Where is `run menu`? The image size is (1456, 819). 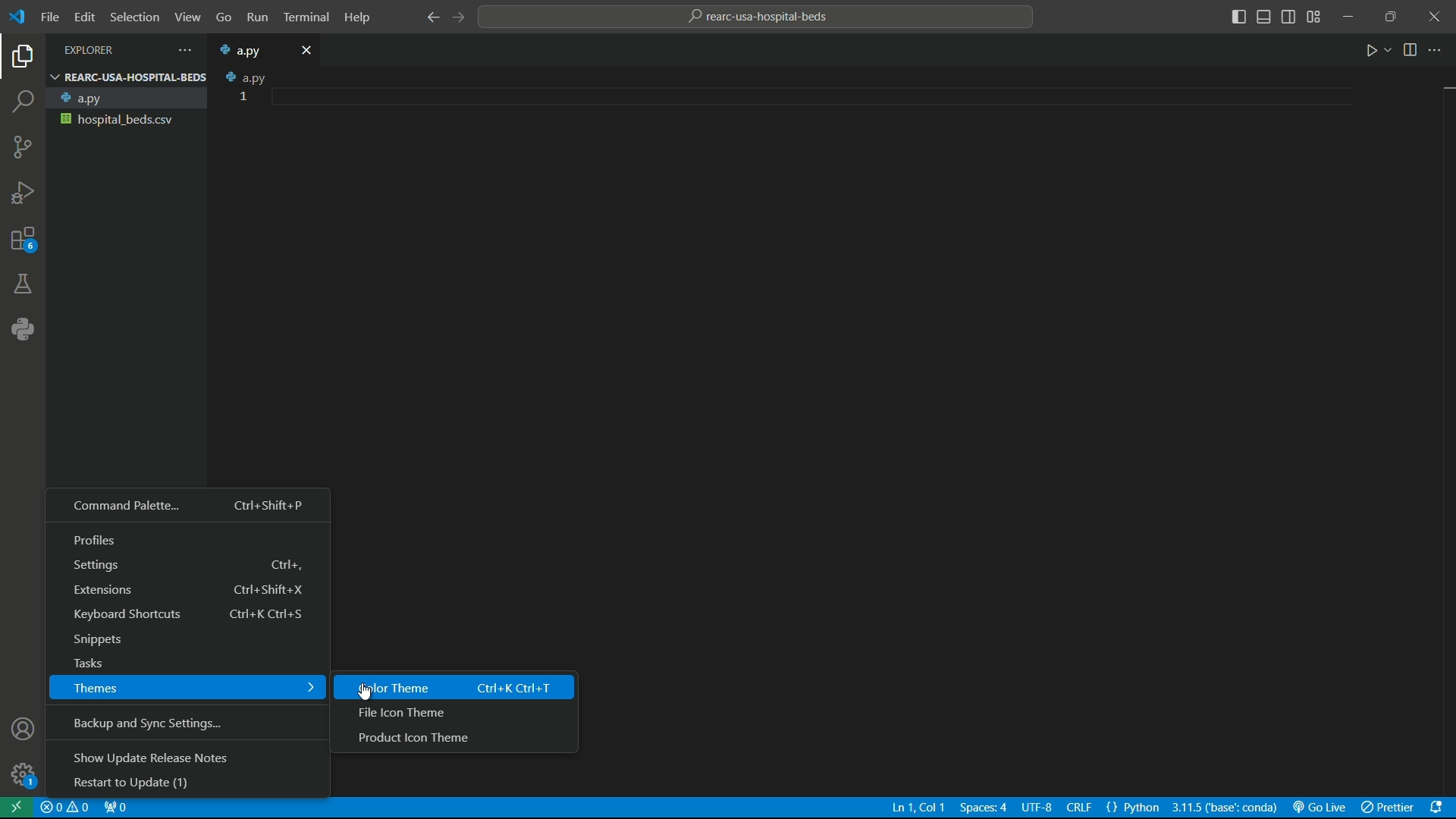 run menu is located at coordinates (256, 18).